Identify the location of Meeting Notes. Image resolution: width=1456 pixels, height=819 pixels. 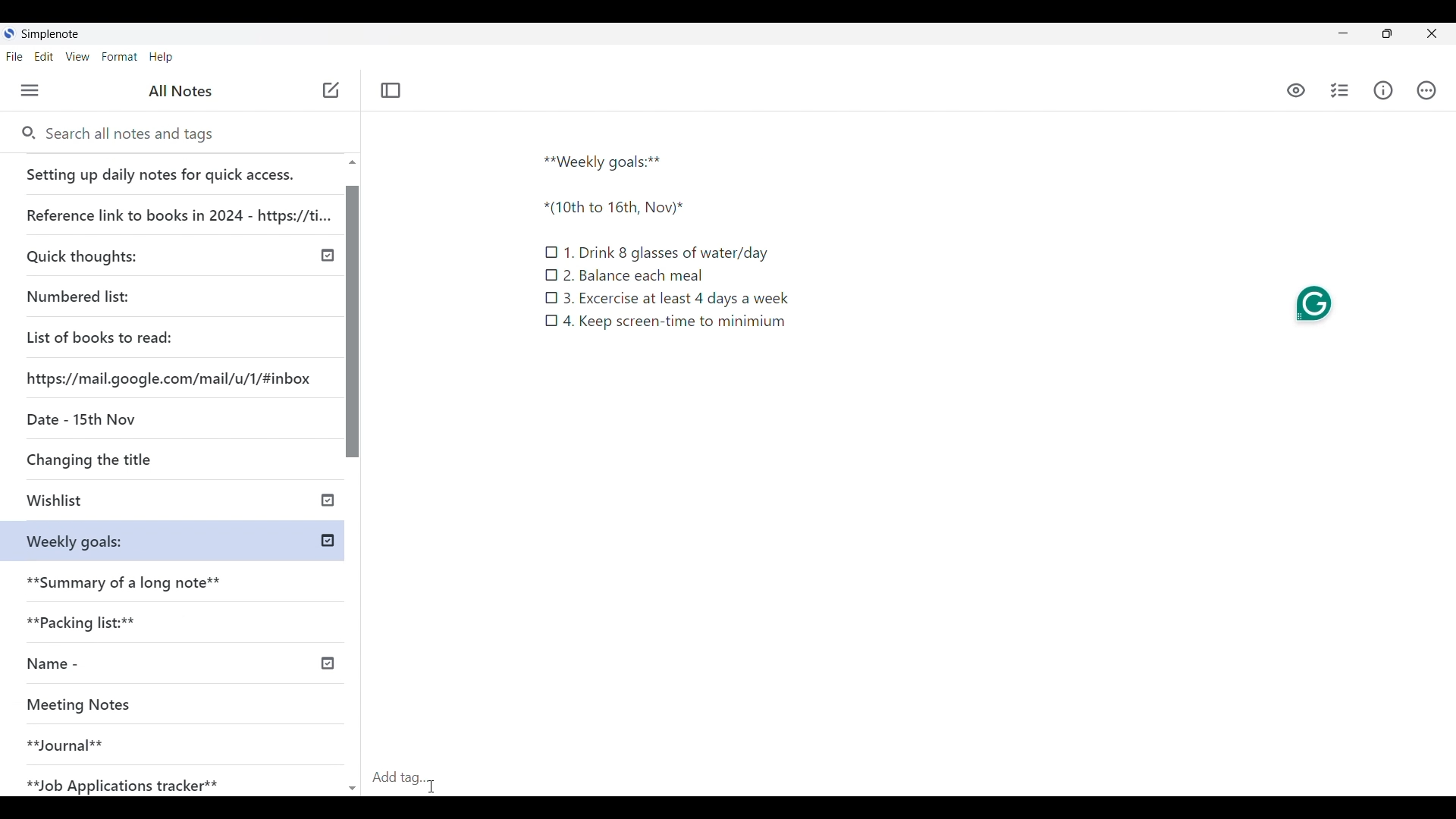
(153, 706).